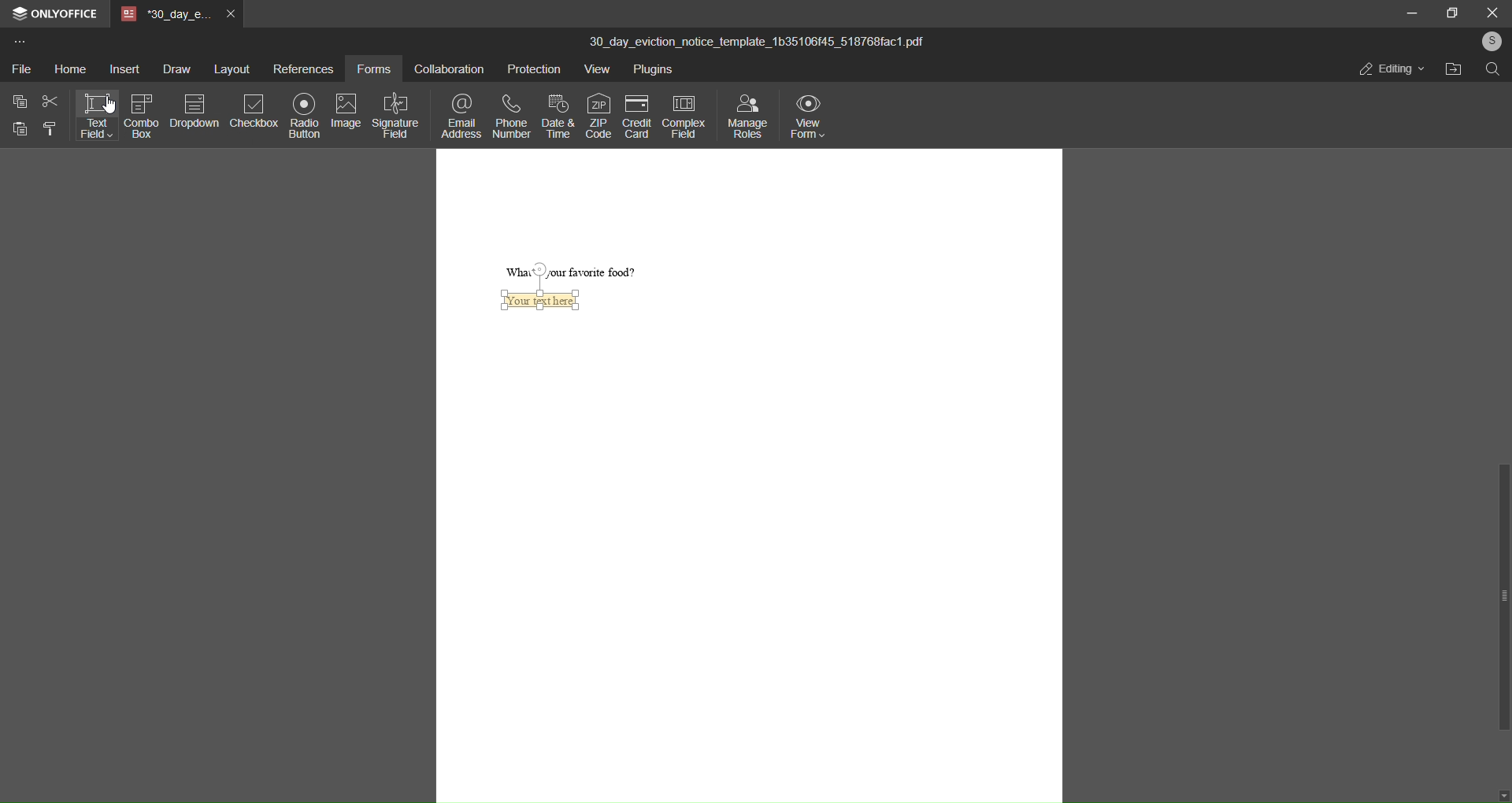 The width and height of the screenshot is (1512, 803). Describe the element at coordinates (21, 68) in the screenshot. I see `file` at that location.